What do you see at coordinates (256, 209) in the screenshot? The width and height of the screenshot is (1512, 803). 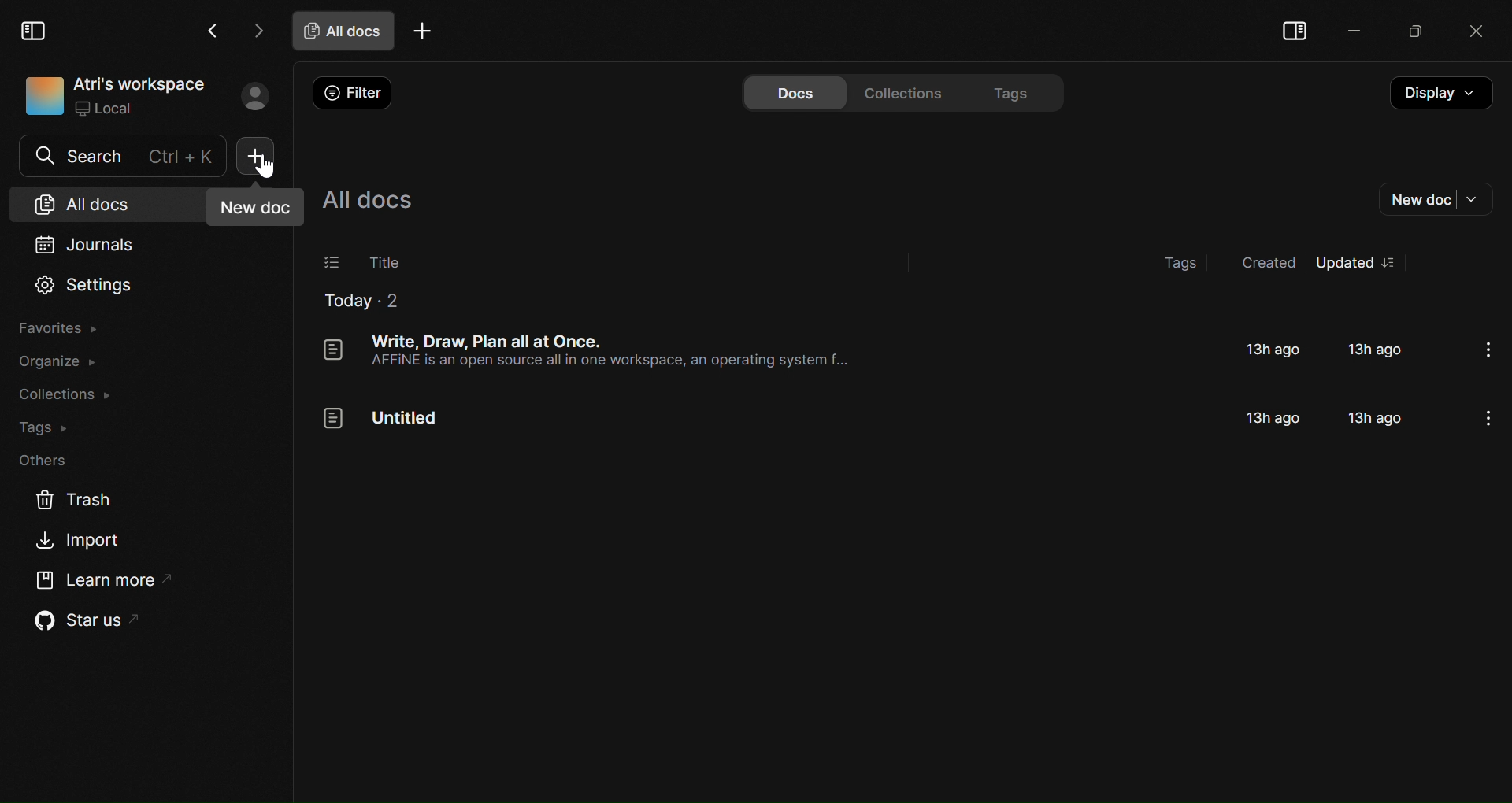 I see `New doc` at bounding box center [256, 209].